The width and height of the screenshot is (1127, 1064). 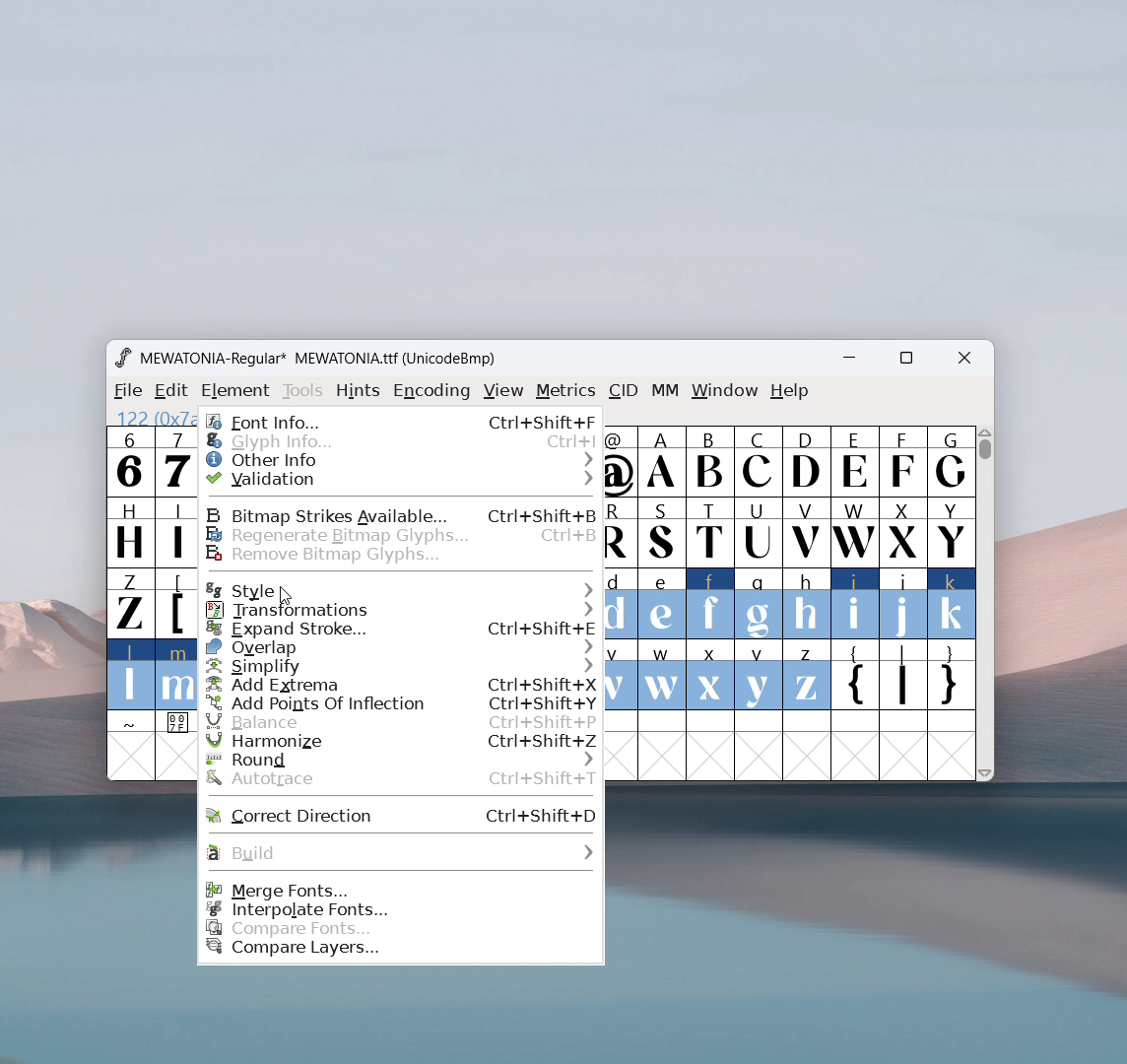 I want to click on remove bitmap glyphs, so click(x=401, y=555).